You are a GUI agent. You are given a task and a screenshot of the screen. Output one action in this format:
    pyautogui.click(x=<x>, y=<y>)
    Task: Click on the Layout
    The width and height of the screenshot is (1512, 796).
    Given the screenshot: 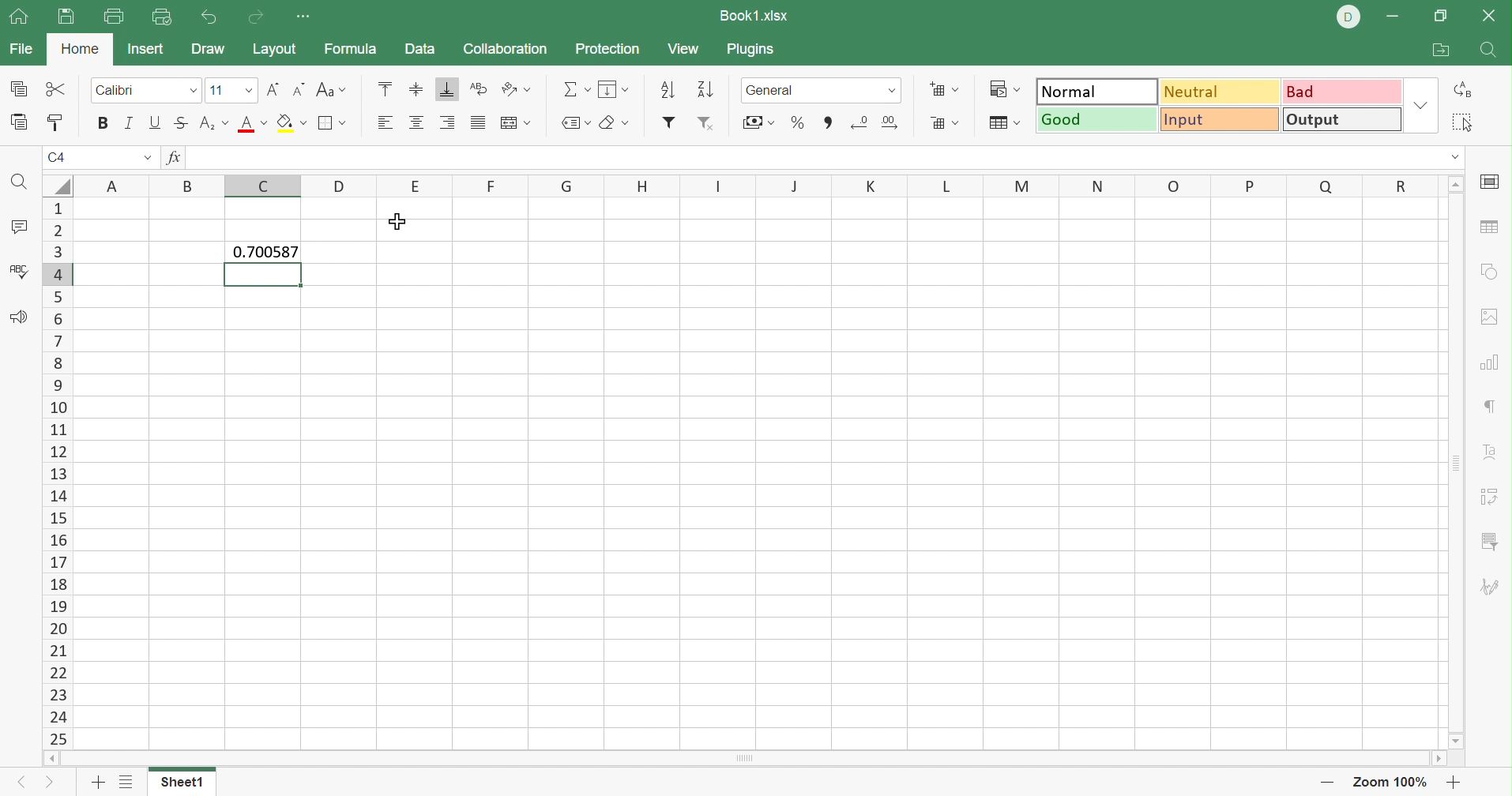 What is the action you would take?
    pyautogui.click(x=274, y=50)
    